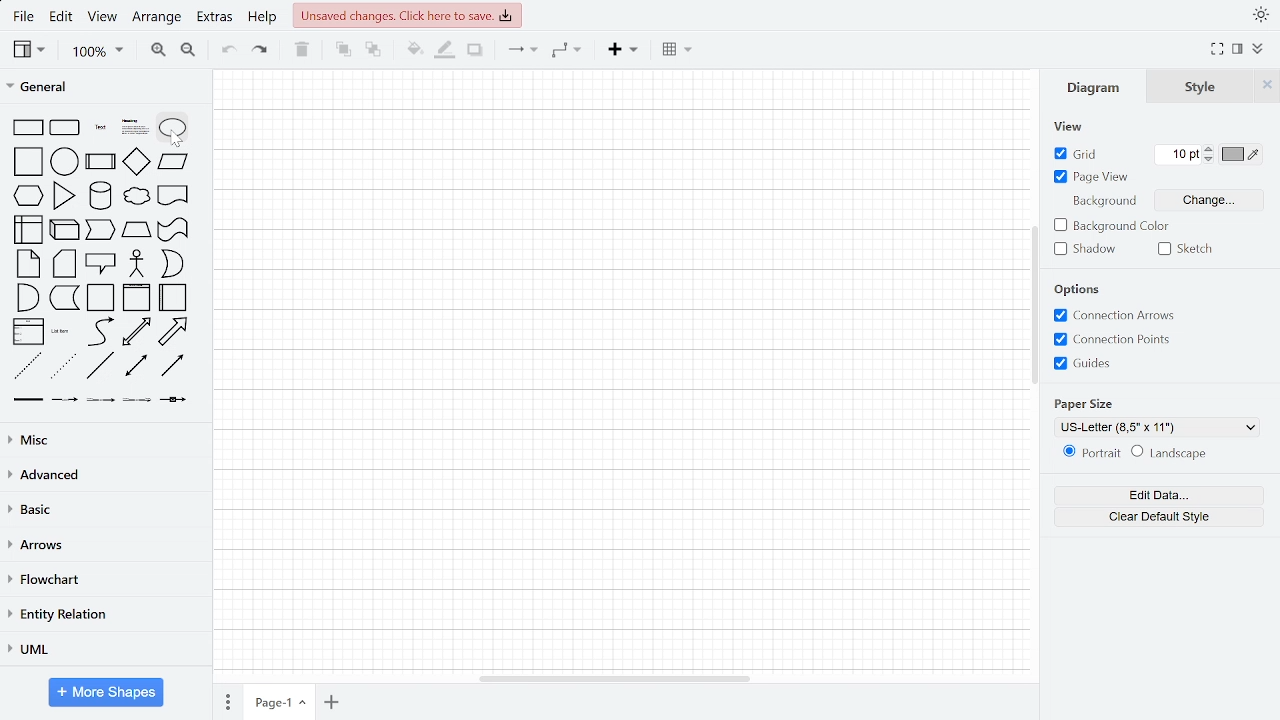  I want to click on line, so click(99, 366).